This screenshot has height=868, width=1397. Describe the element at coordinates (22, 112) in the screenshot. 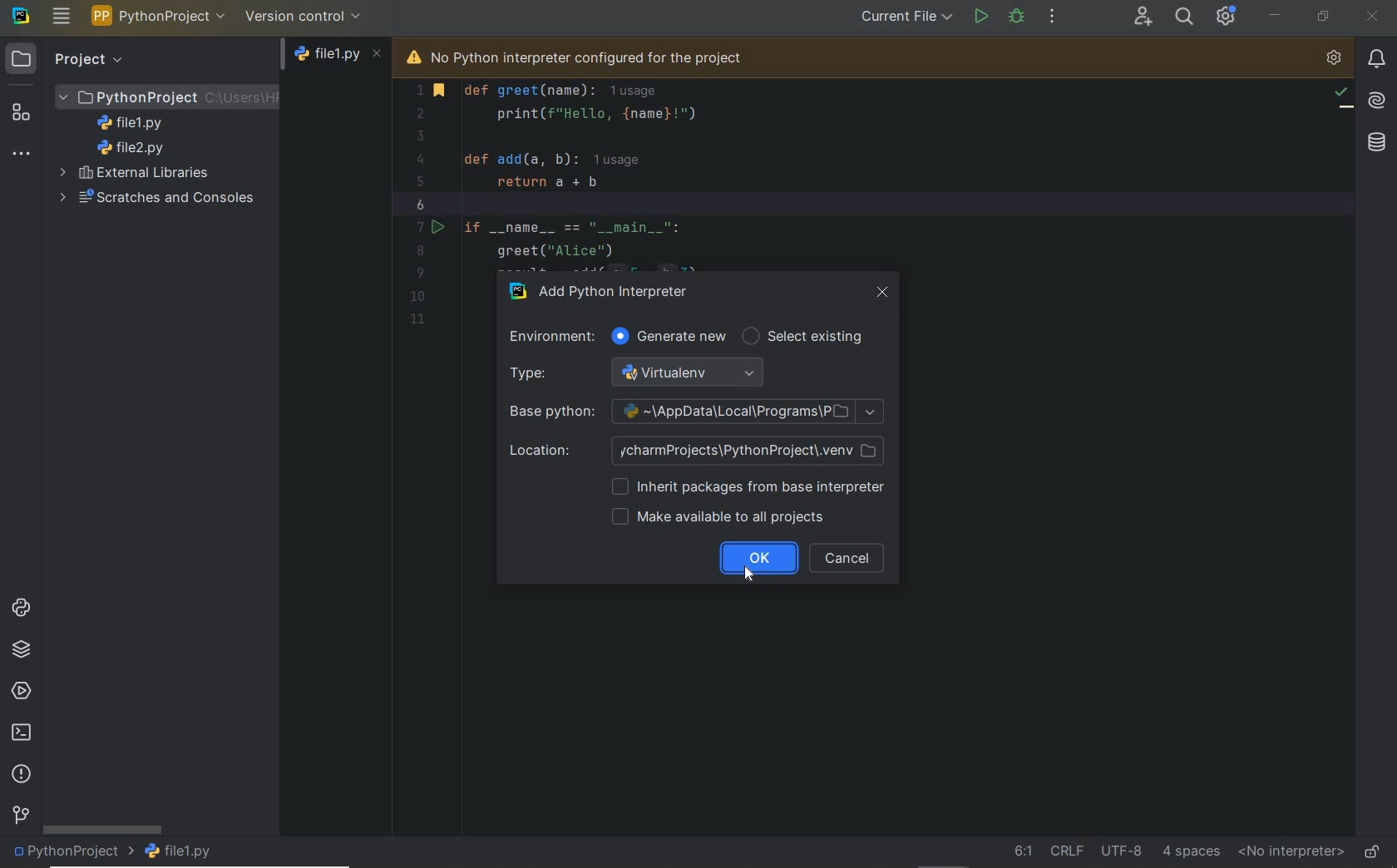

I see `structure` at that location.